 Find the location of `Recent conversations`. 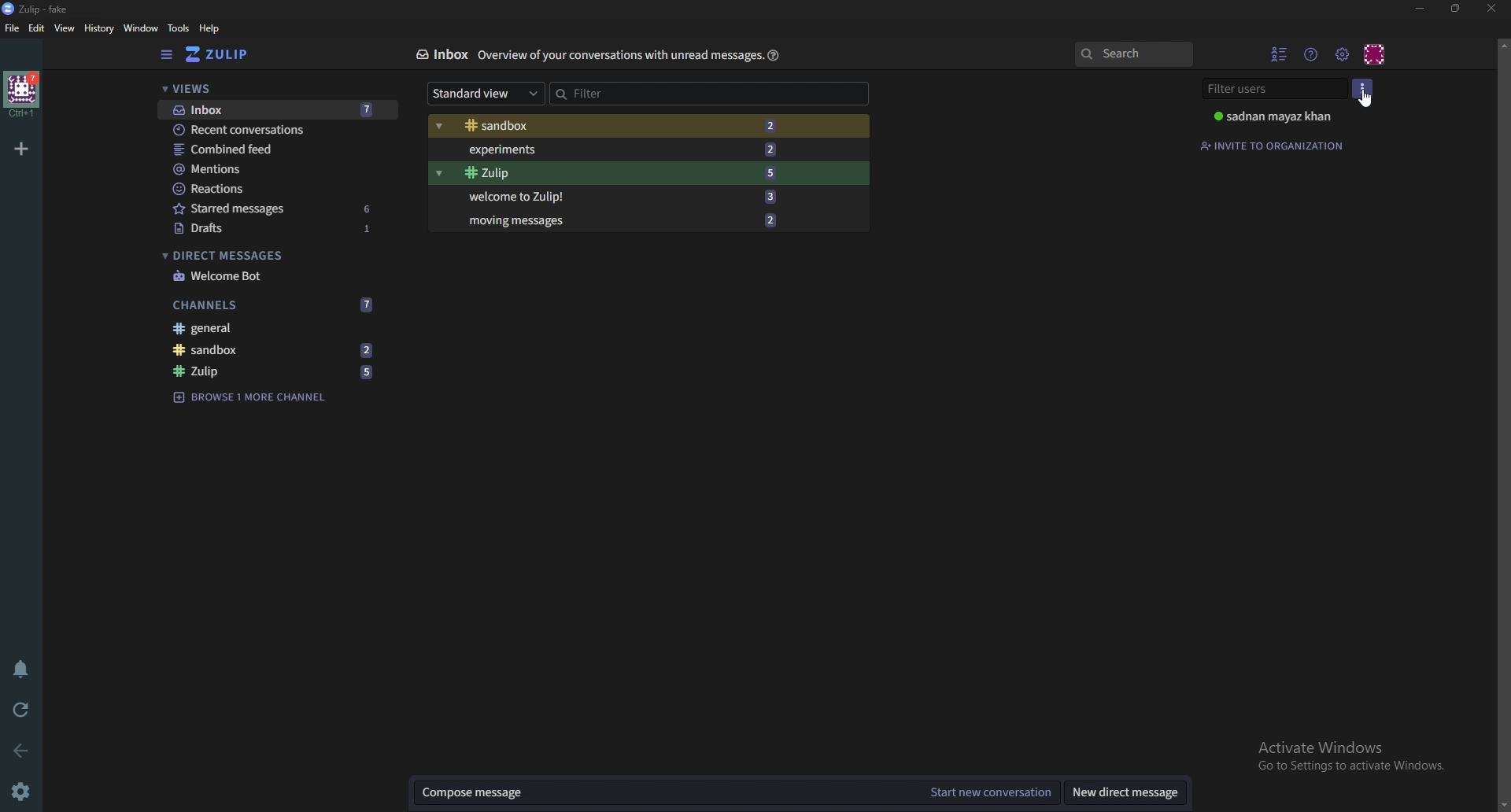

Recent conversations is located at coordinates (279, 130).